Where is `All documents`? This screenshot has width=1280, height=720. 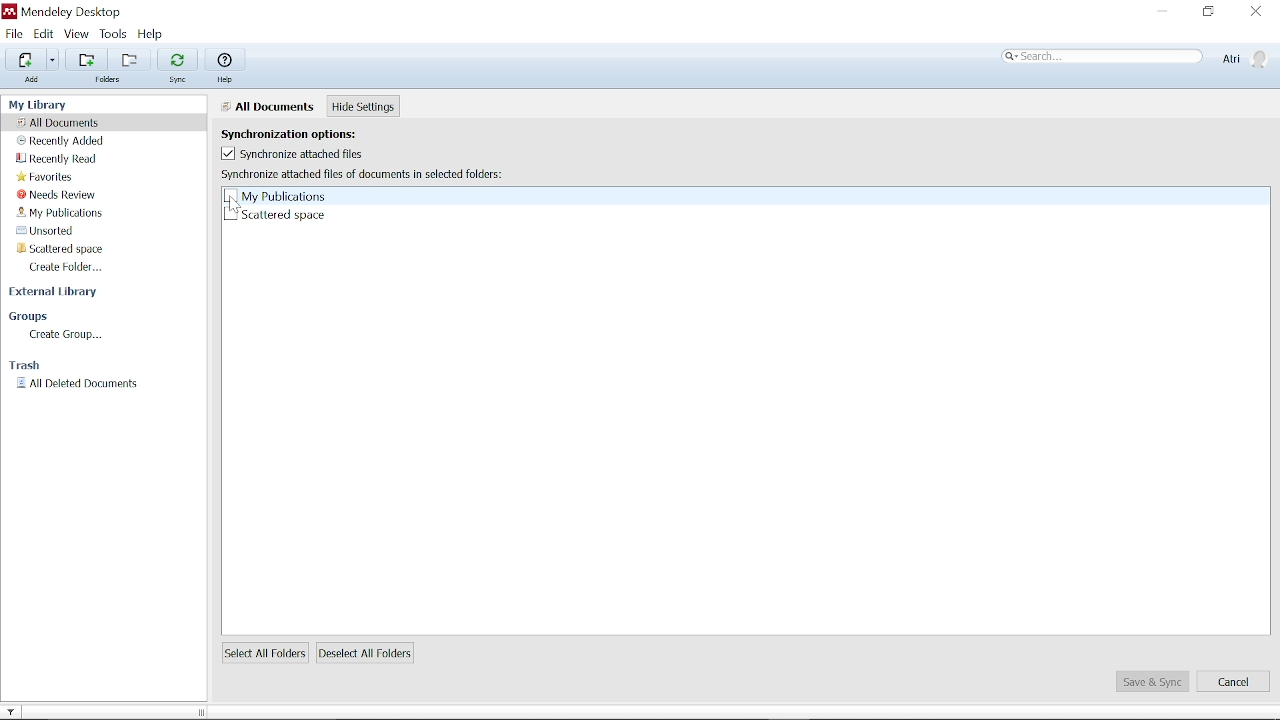 All documents is located at coordinates (65, 122).